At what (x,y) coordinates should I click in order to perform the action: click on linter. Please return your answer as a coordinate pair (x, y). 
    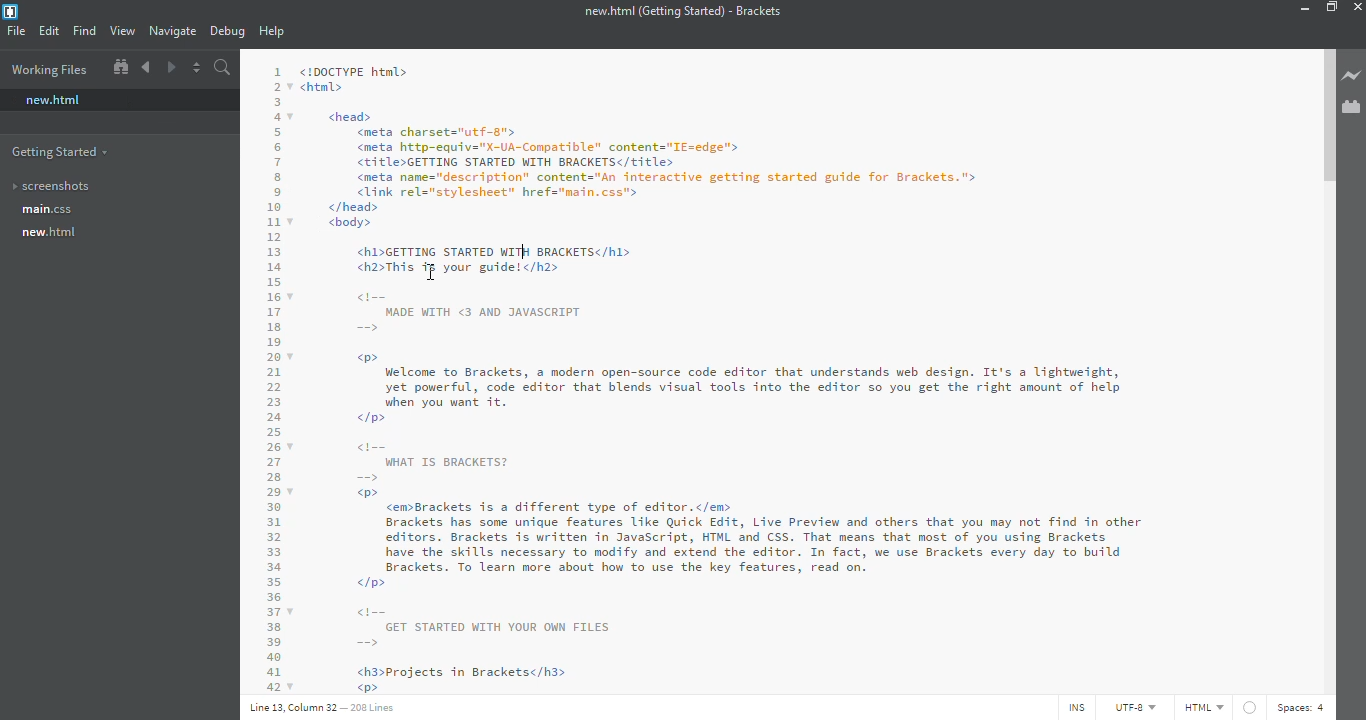
    Looking at the image, I should click on (1251, 706).